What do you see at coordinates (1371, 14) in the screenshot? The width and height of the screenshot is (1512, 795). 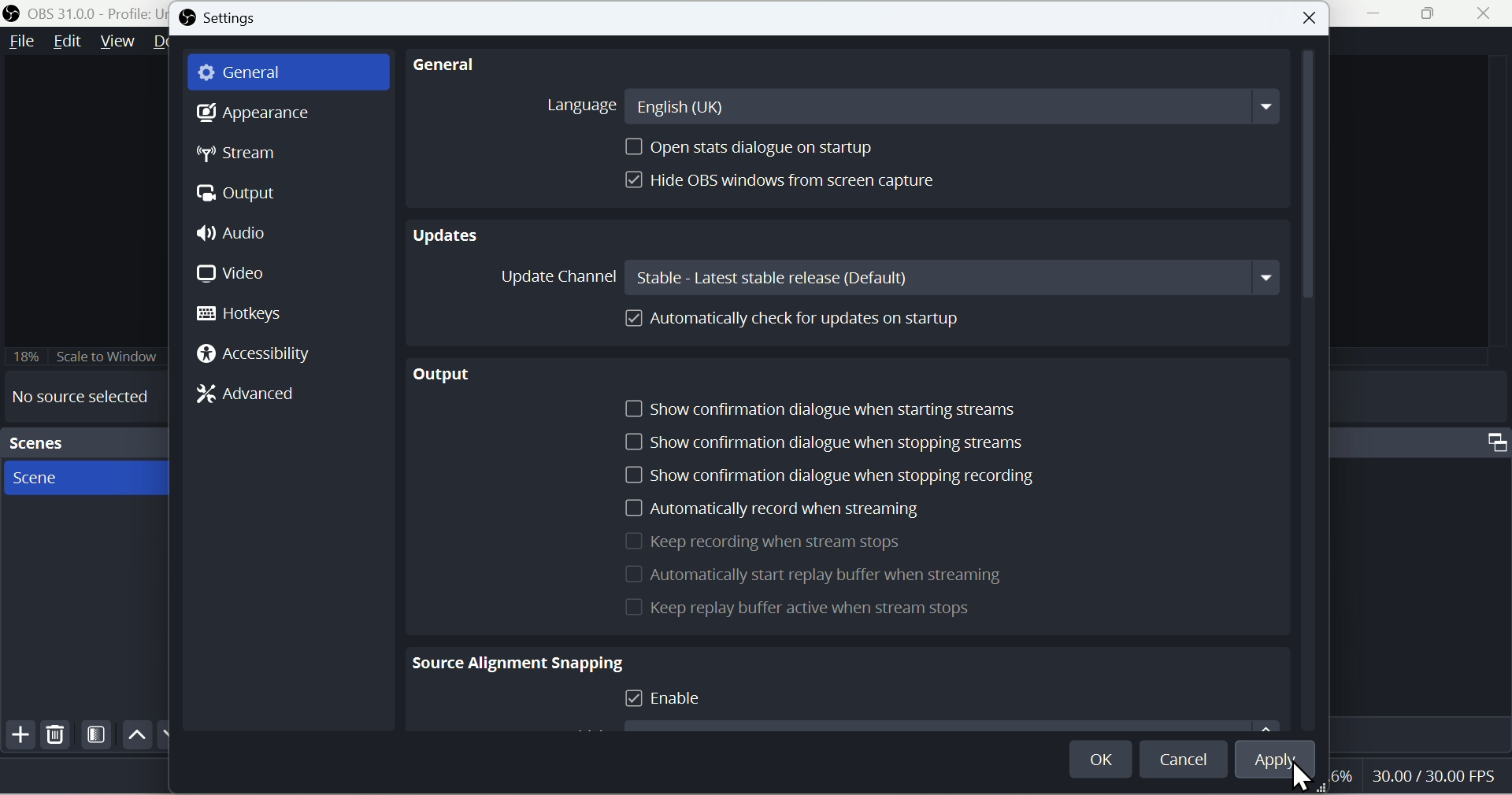 I see `Minimiza` at bounding box center [1371, 14].